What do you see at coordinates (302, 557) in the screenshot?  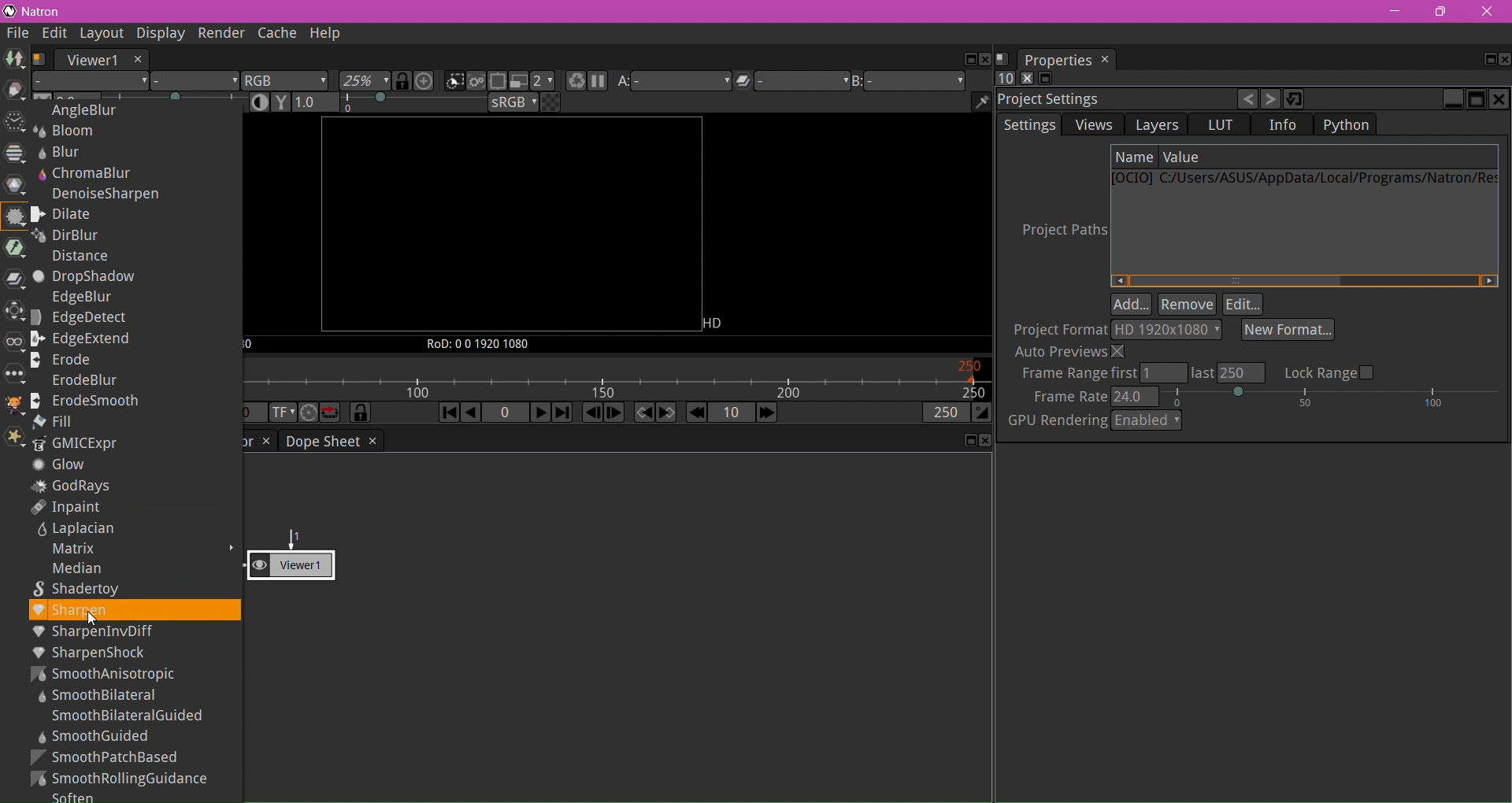 I see `Viewer 1` at bounding box center [302, 557].